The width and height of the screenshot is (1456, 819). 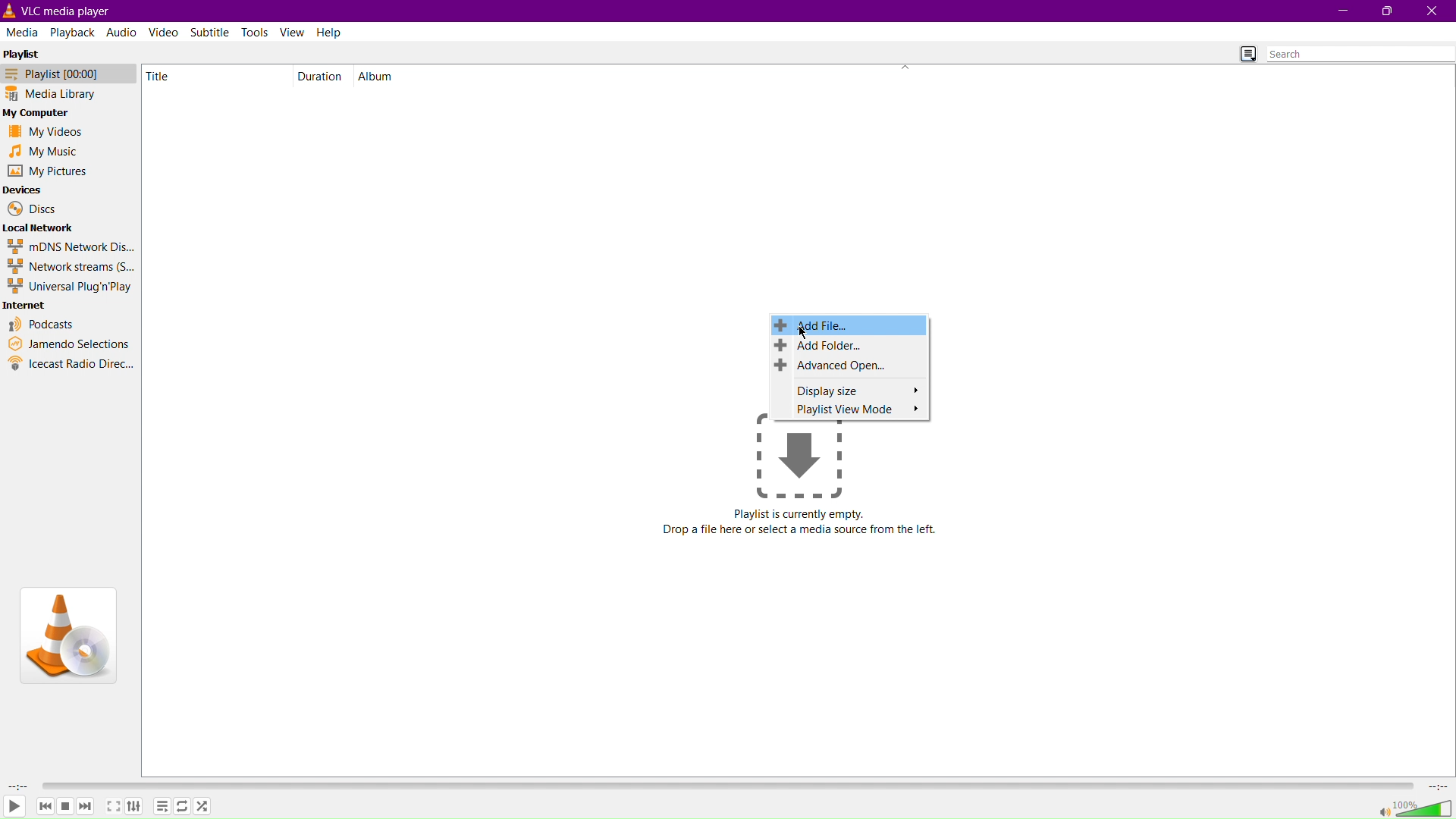 What do you see at coordinates (27, 306) in the screenshot?
I see `Internet` at bounding box center [27, 306].